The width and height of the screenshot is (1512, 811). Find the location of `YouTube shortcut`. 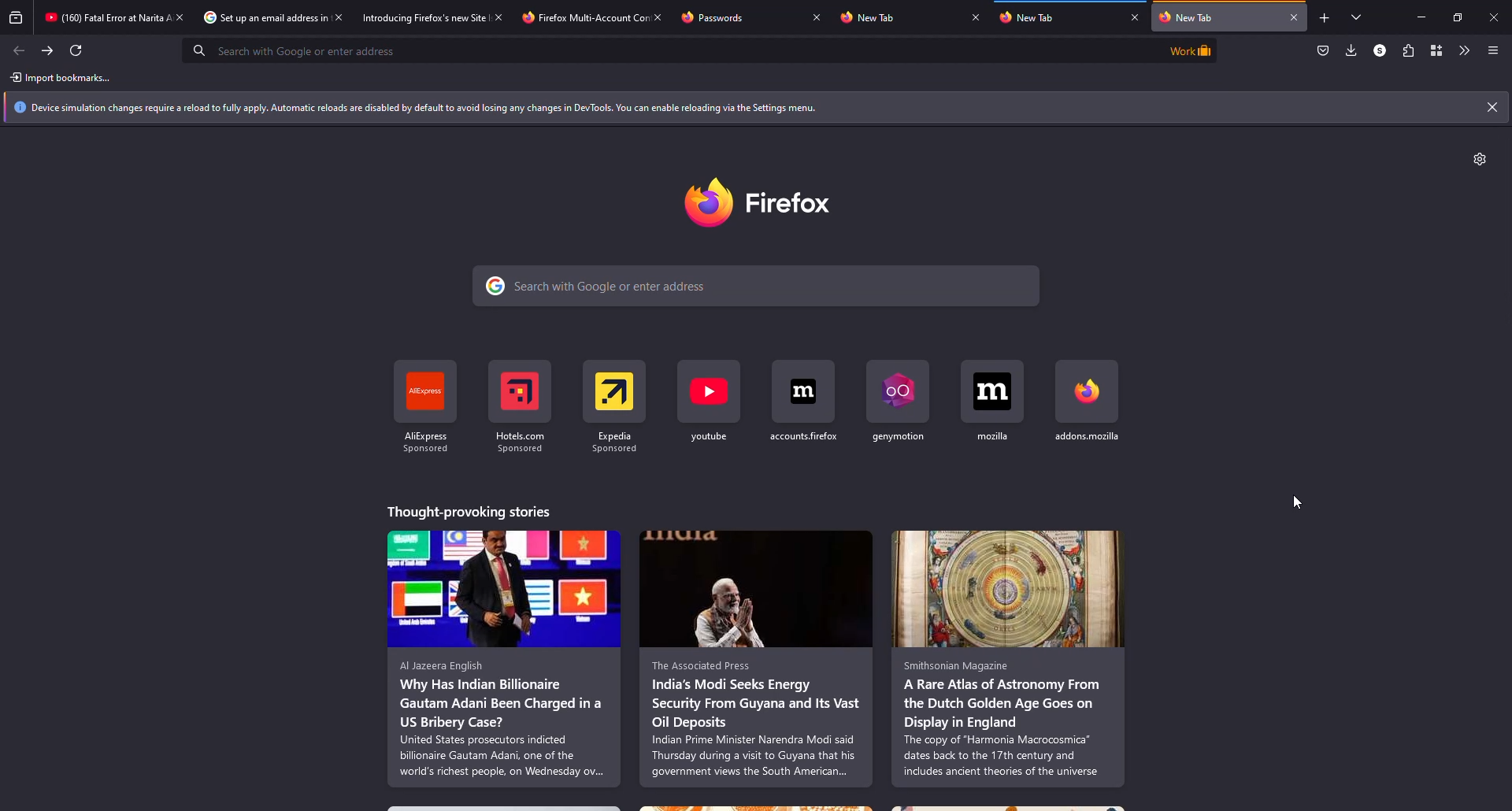

YouTube shortcut is located at coordinates (709, 402).